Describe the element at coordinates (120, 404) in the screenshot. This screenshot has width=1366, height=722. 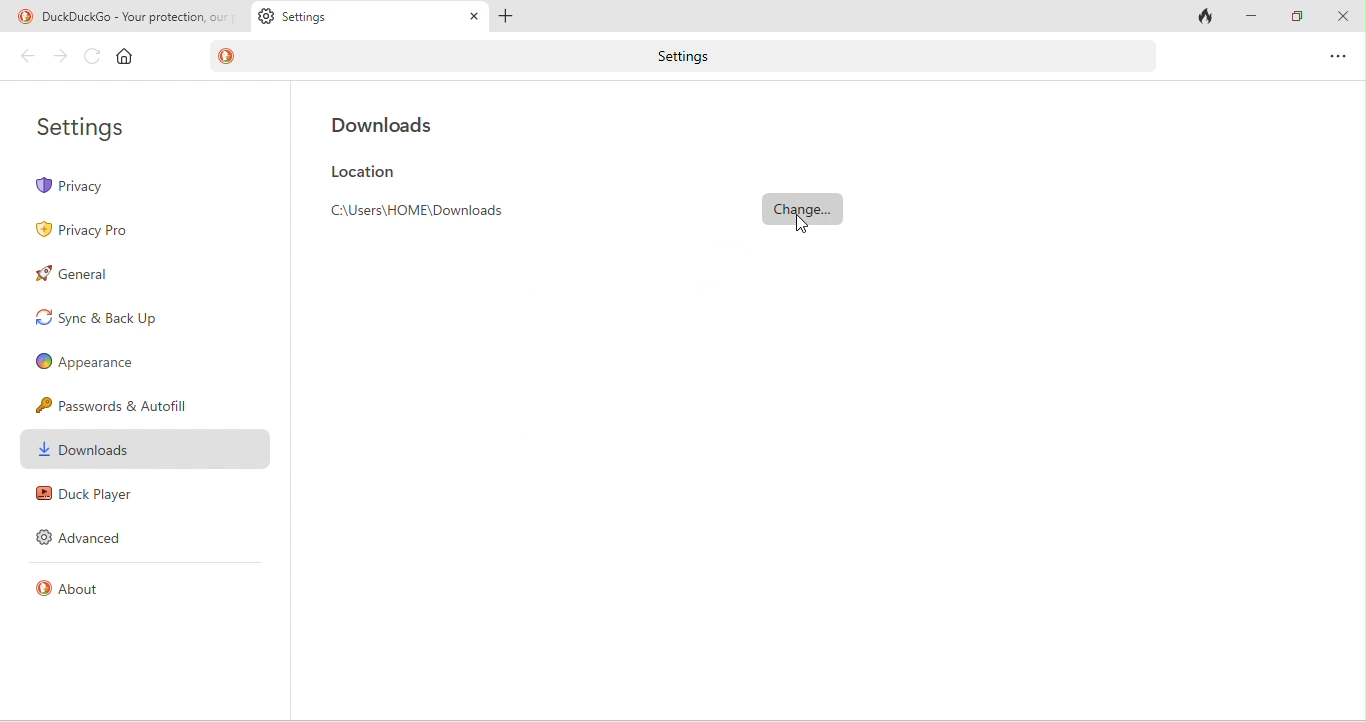
I see `password and autofill` at that location.